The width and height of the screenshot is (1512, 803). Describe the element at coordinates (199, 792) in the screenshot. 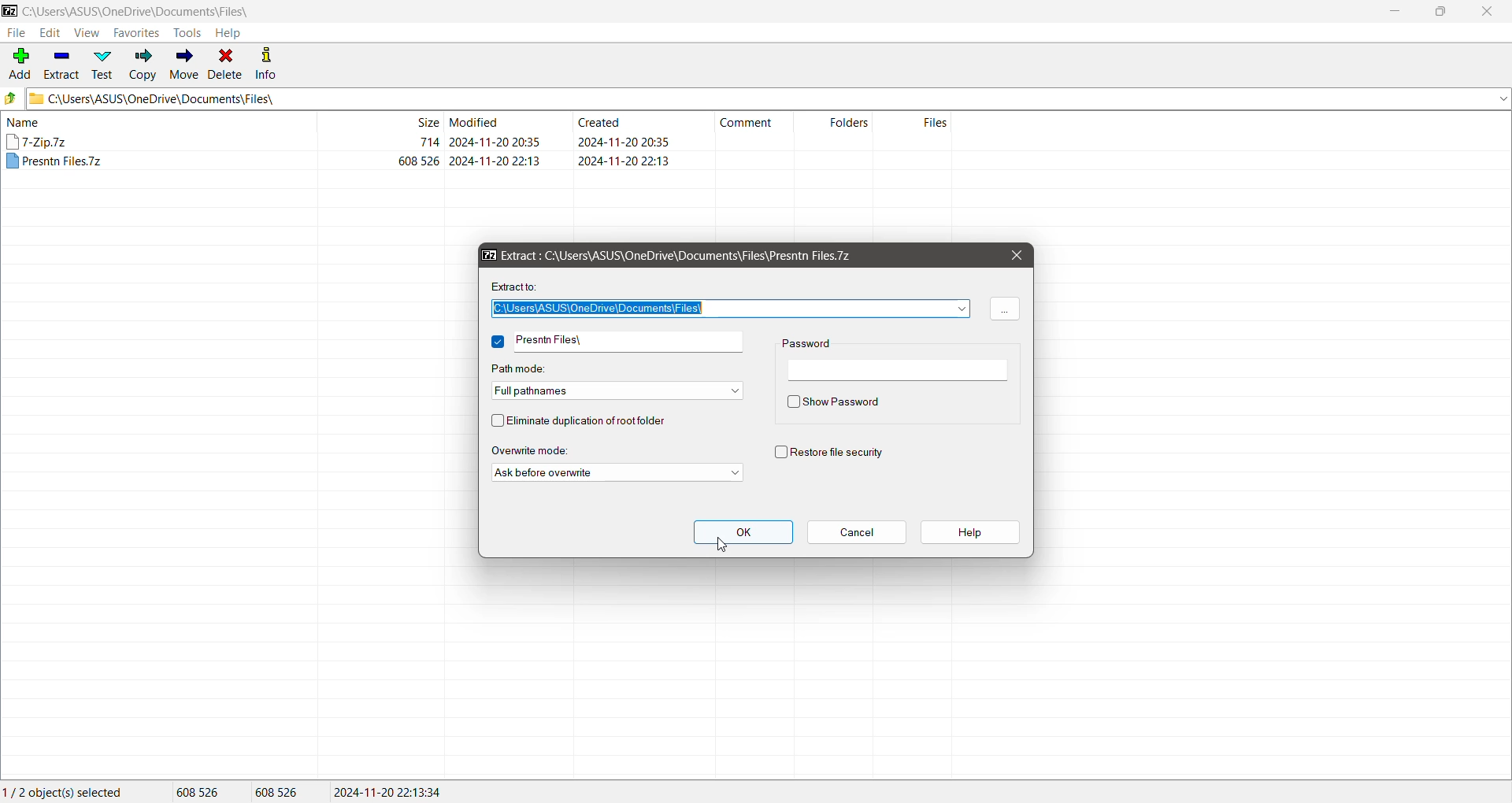

I see `Total size of file(s) selected` at that location.